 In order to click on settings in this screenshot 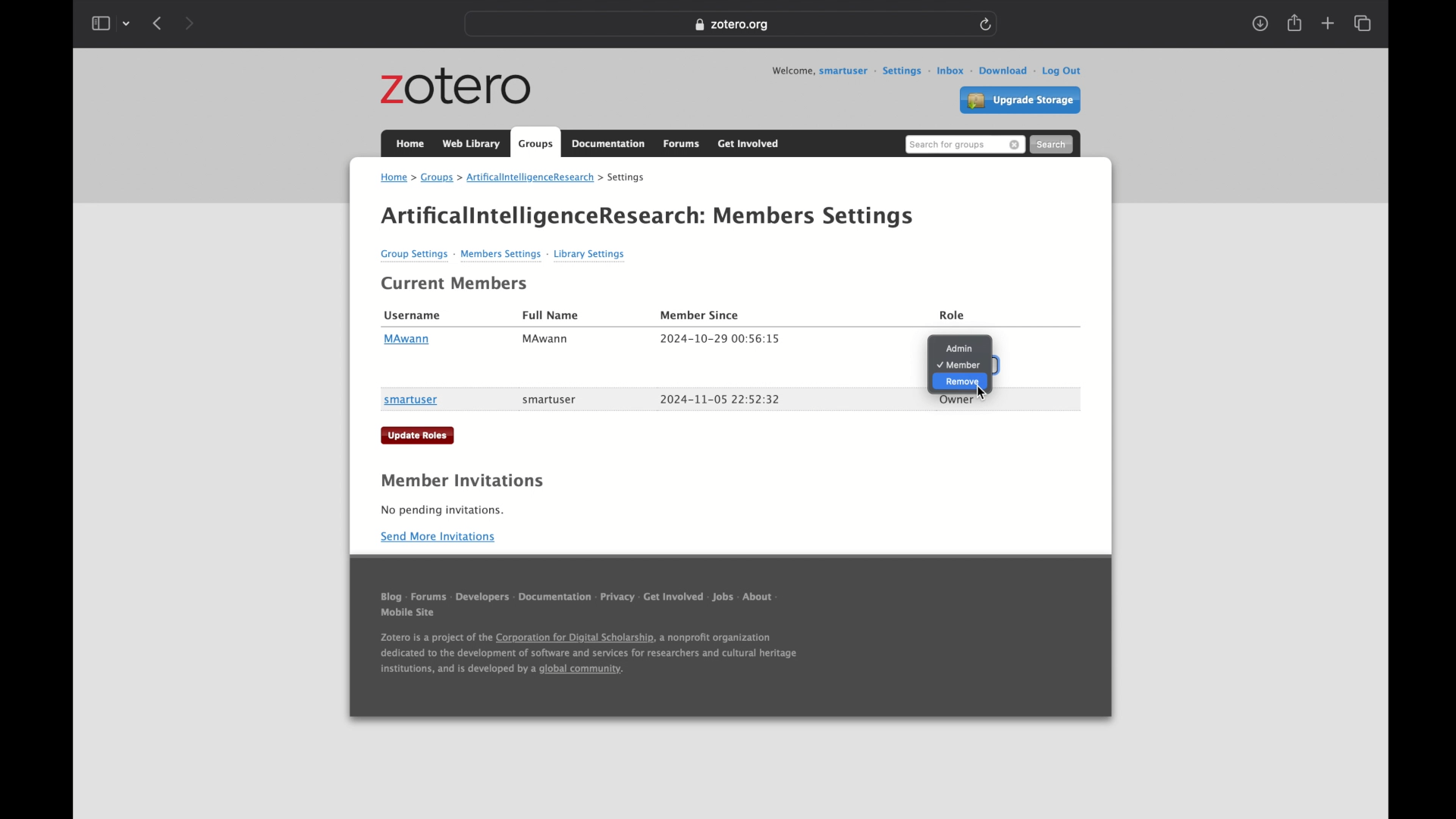, I will do `click(897, 71)`.